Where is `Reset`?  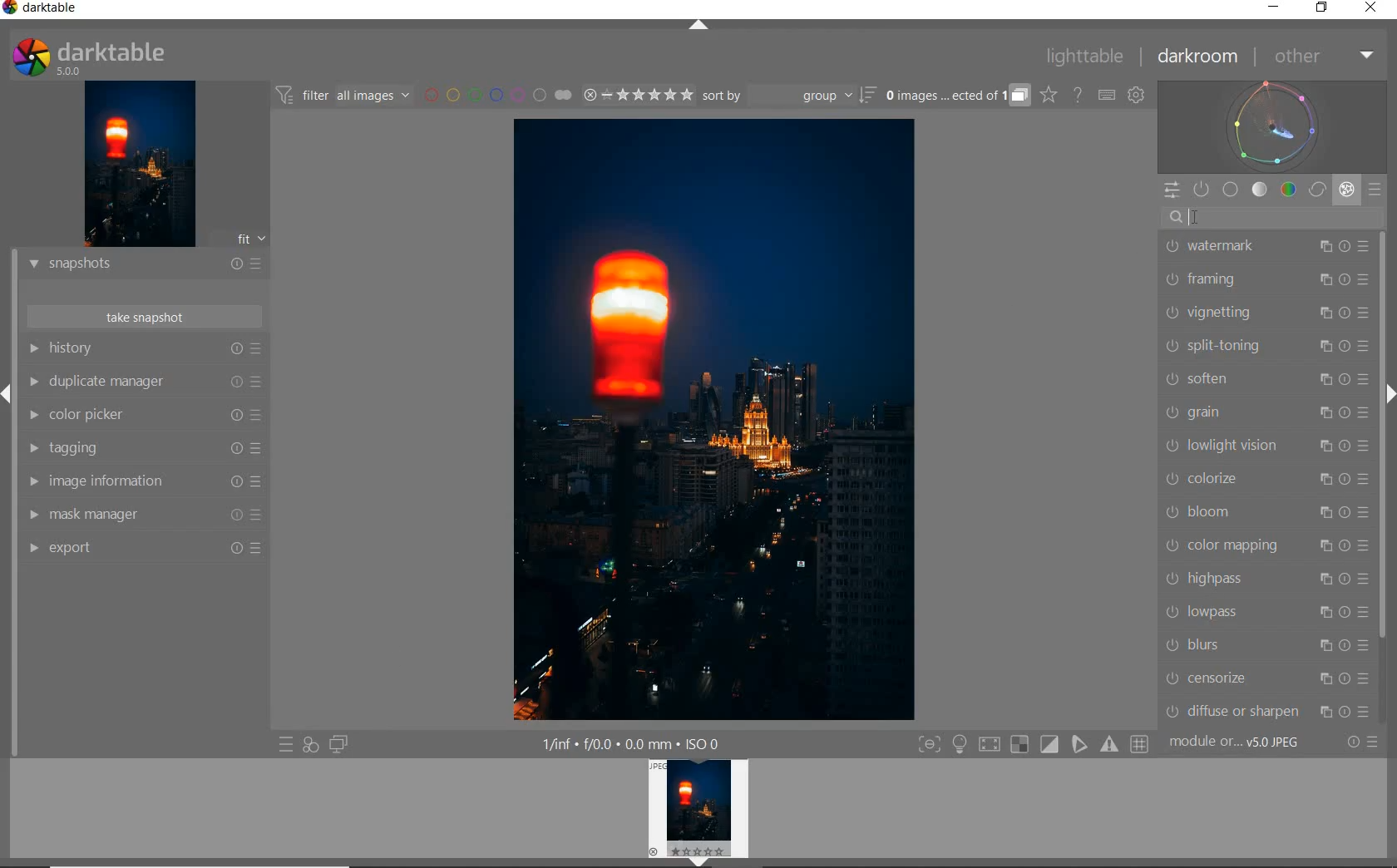
Reset is located at coordinates (239, 484).